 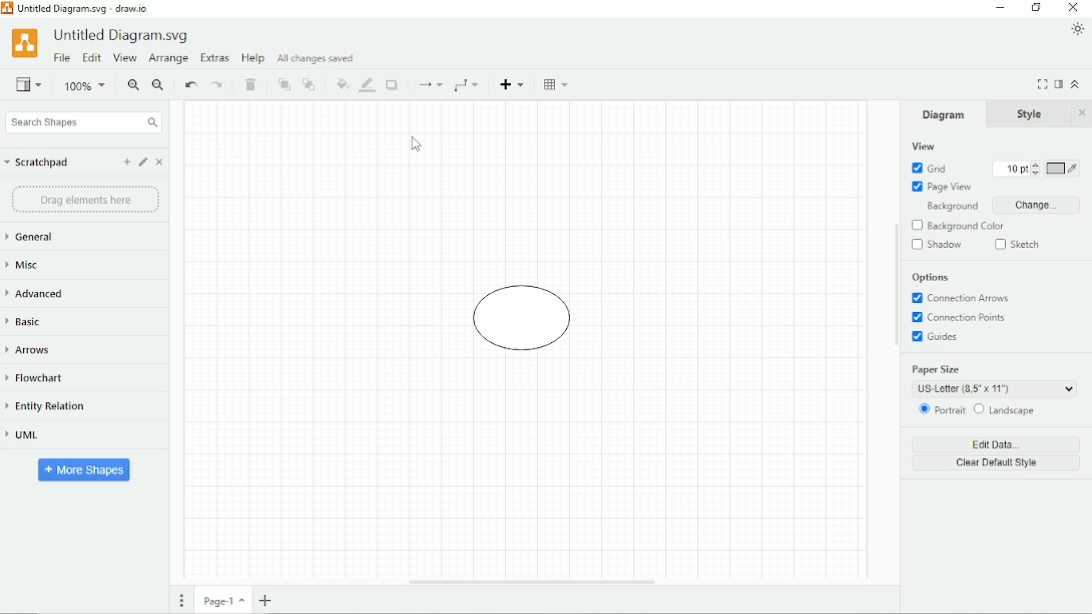 What do you see at coordinates (931, 278) in the screenshot?
I see `Options` at bounding box center [931, 278].